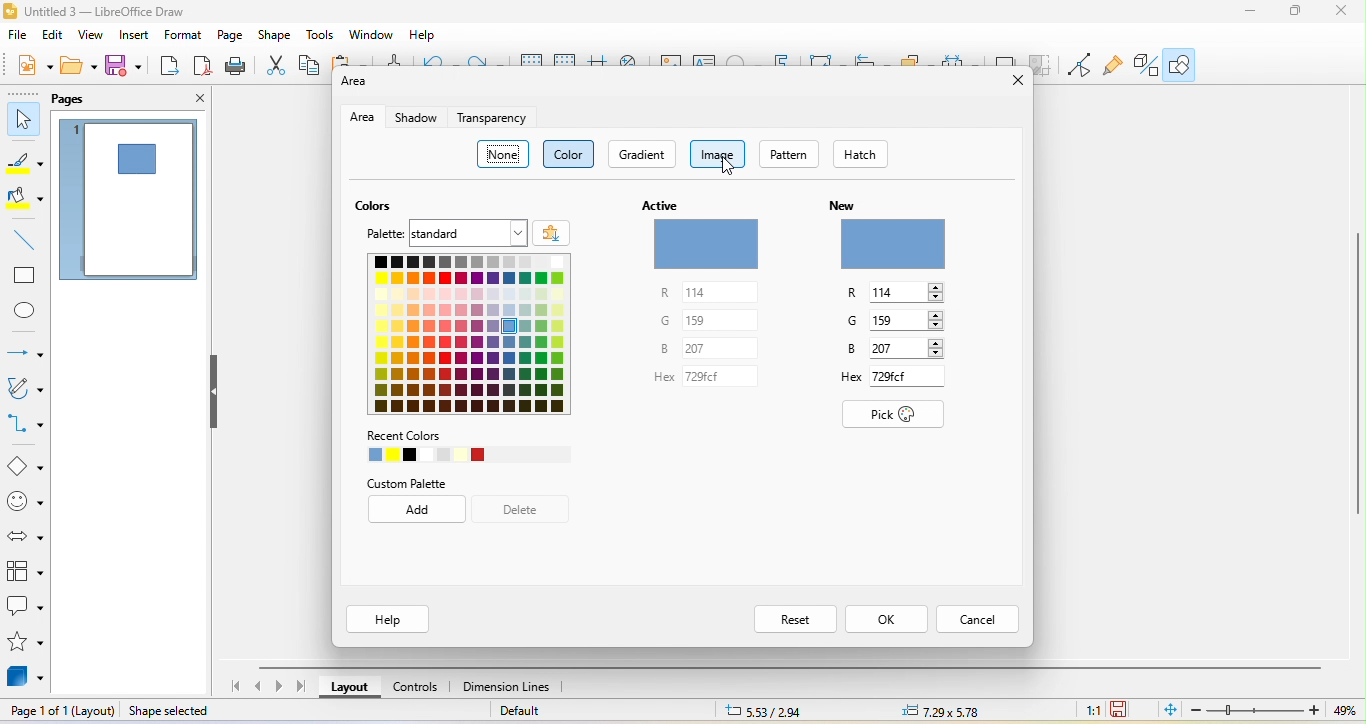 This screenshot has height=724, width=1366. I want to click on close, so click(1346, 15).